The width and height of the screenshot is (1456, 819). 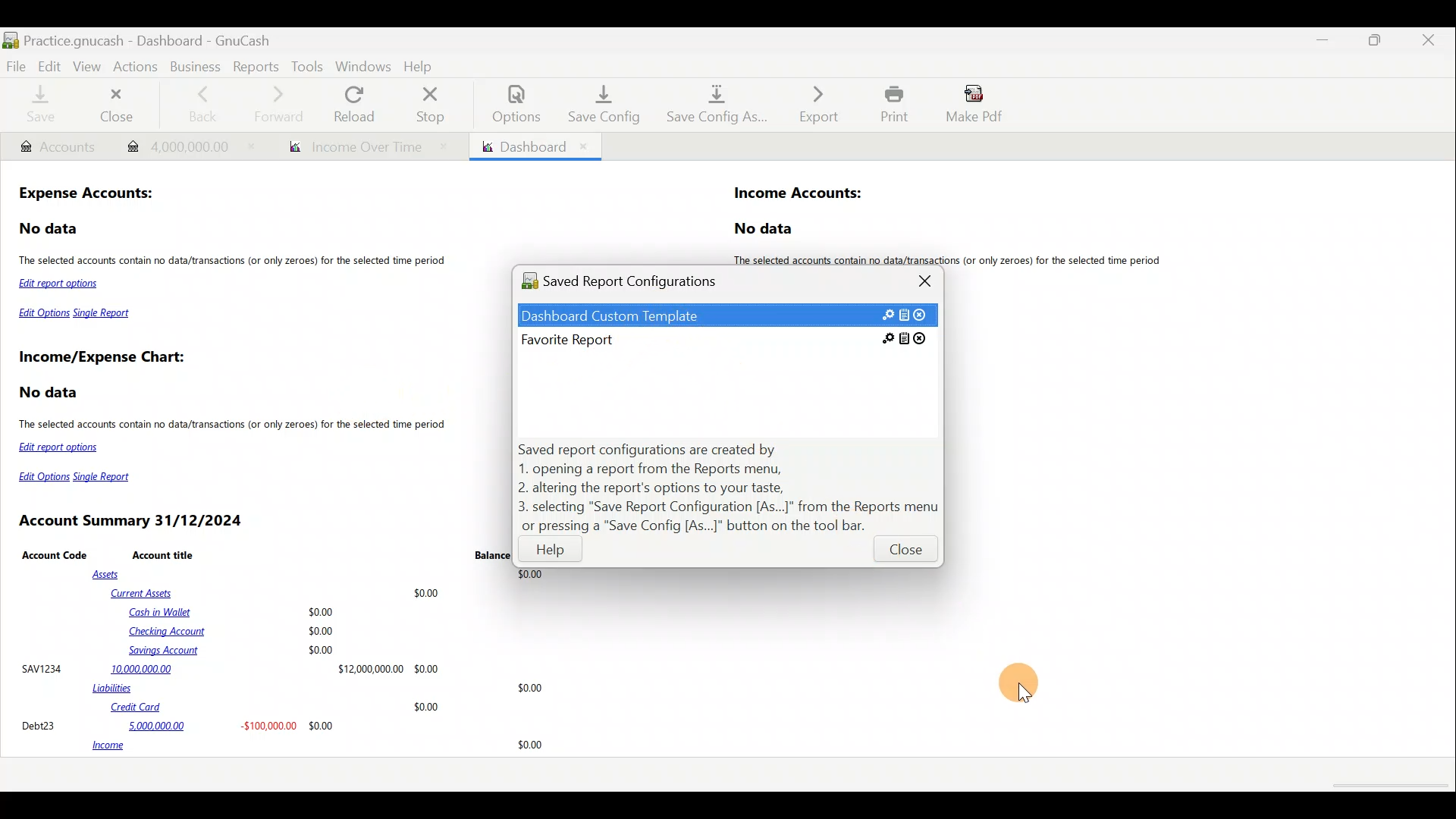 I want to click on Maximise, so click(x=1378, y=45).